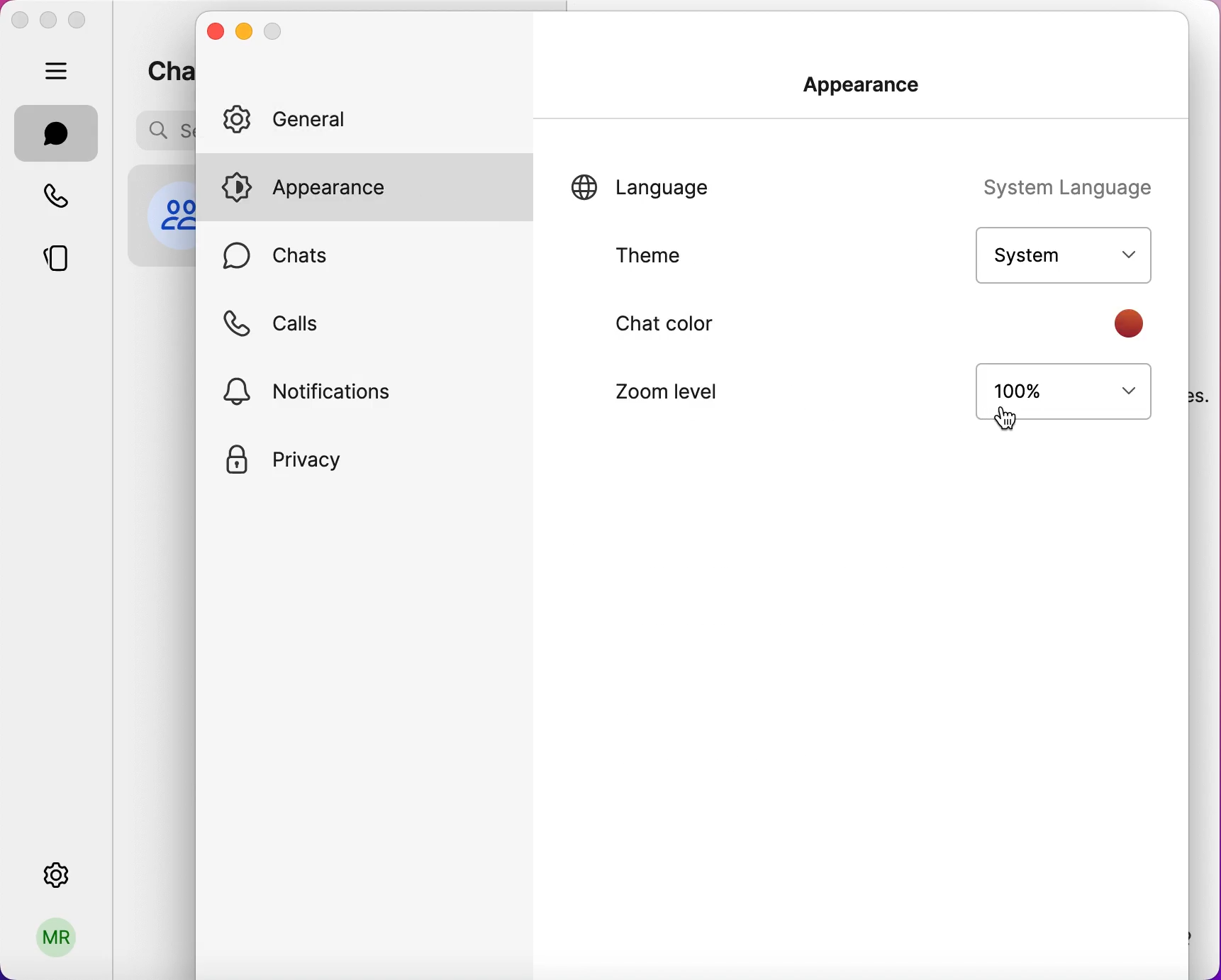 The height and width of the screenshot is (980, 1221). I want to click on chats, so click(53, 130).